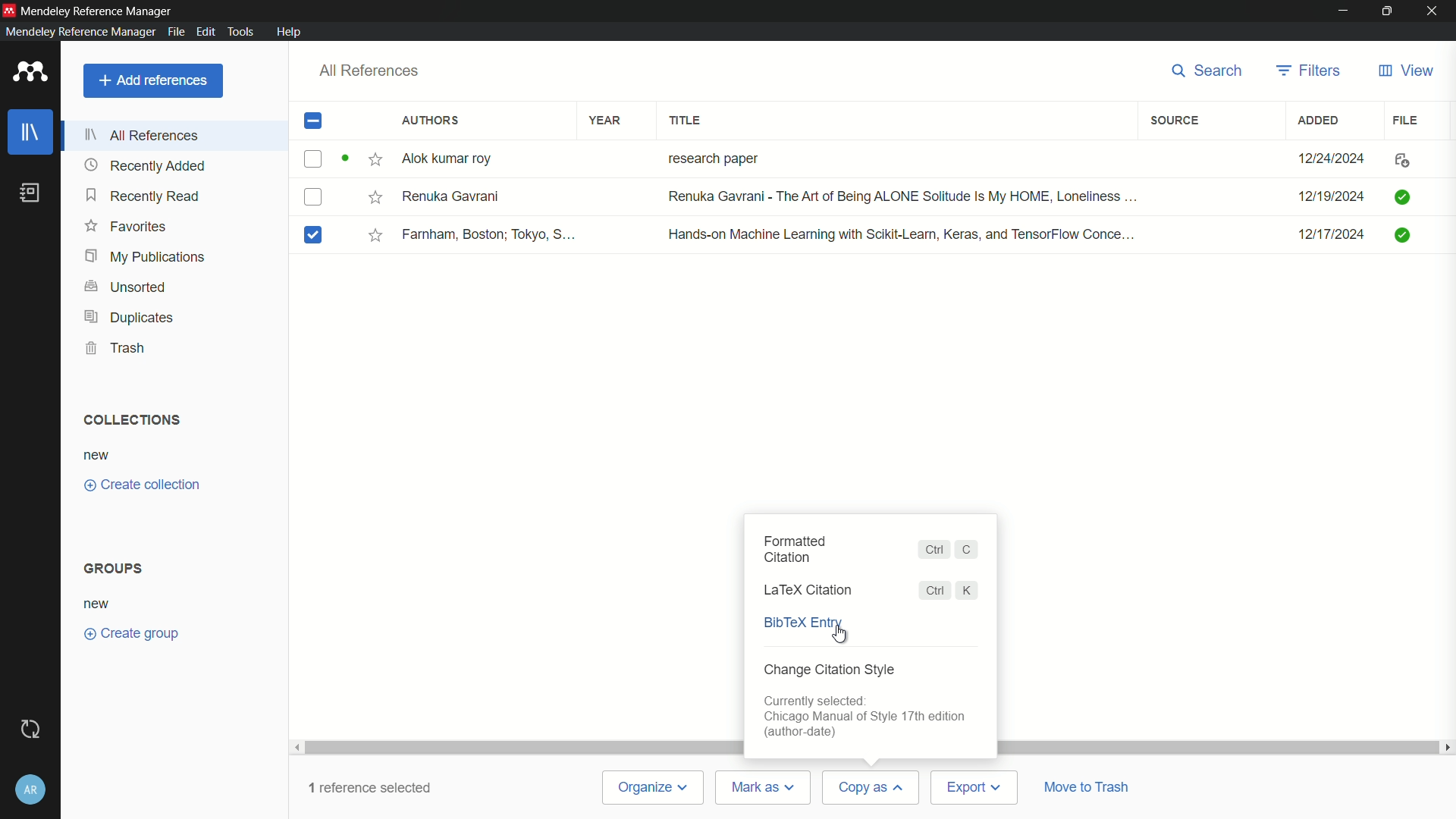  What do you see at coordinates (374, 235) in the screenshot?
I see `Mark it star` at bounding box center [374, 235].